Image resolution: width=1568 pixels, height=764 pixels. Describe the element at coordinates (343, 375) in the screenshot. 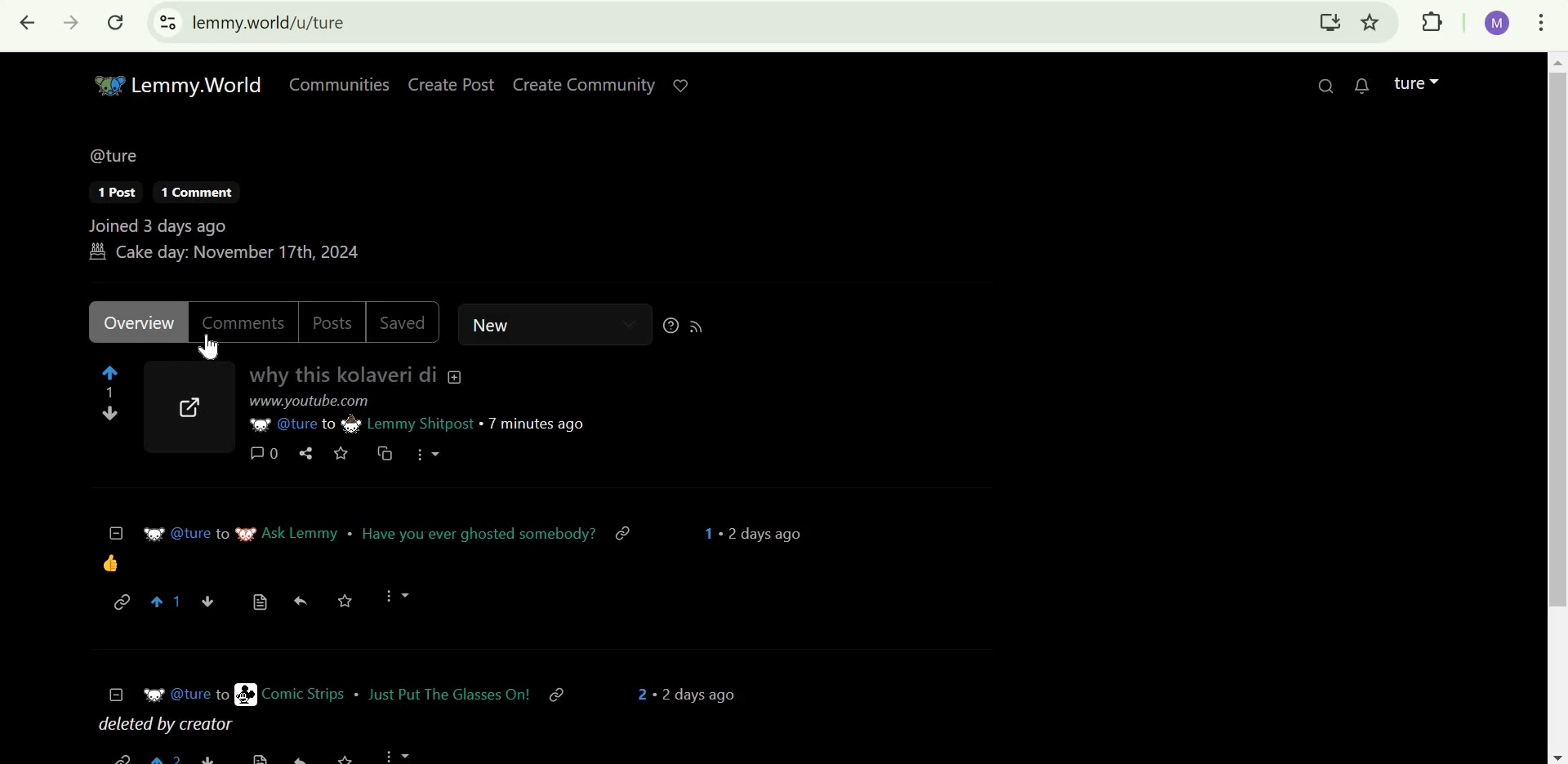

I see `post headline` at that location.